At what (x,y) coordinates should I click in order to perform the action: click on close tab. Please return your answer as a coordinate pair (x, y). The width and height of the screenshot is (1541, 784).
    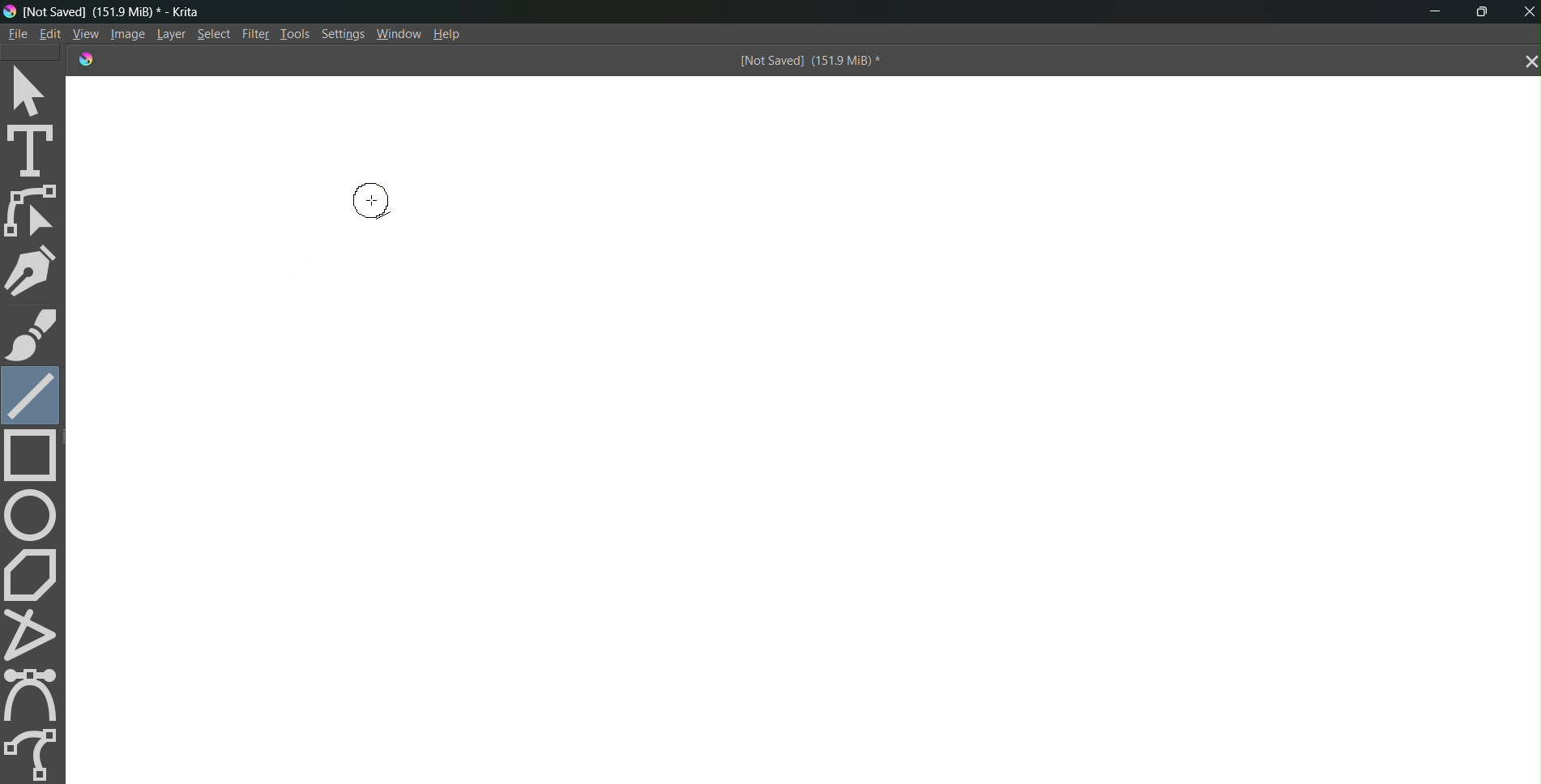
    Looking at the image, I should click on (1526, 62).